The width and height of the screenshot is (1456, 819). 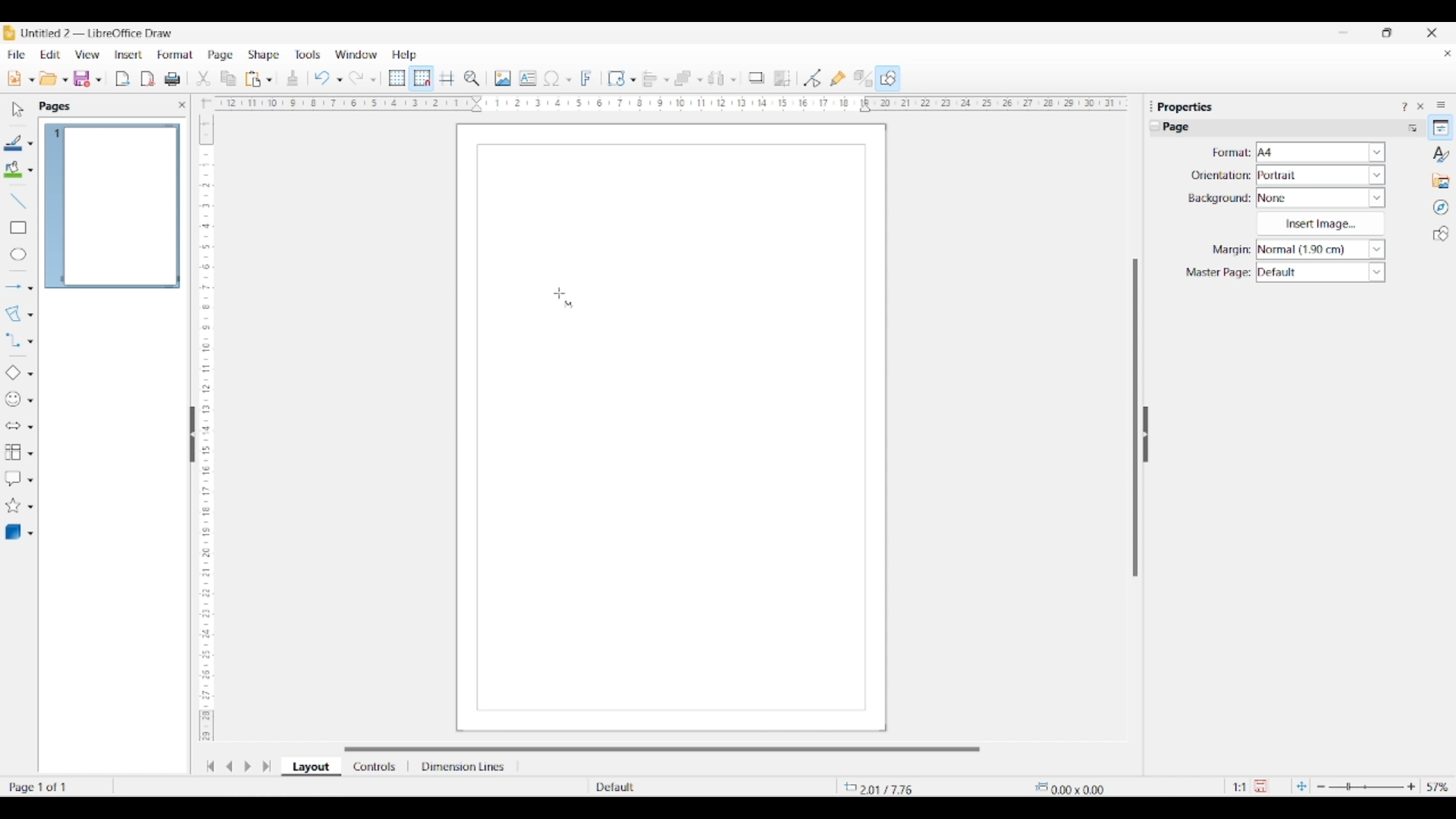 I want to click on Horizontal slide bar, so click(x=662, y=749).